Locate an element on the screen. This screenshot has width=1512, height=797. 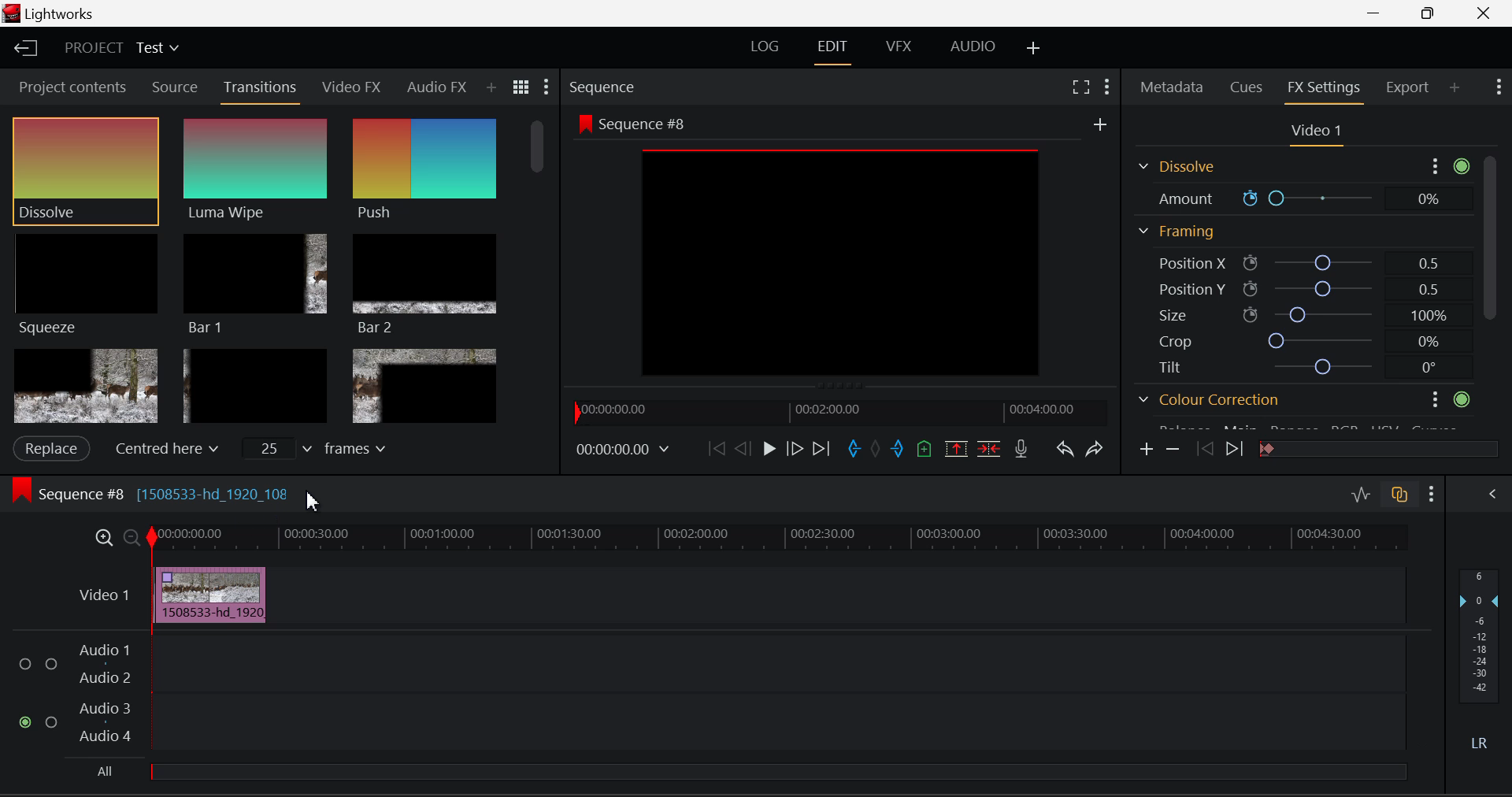
VFX is located at coordinates (898, 48).